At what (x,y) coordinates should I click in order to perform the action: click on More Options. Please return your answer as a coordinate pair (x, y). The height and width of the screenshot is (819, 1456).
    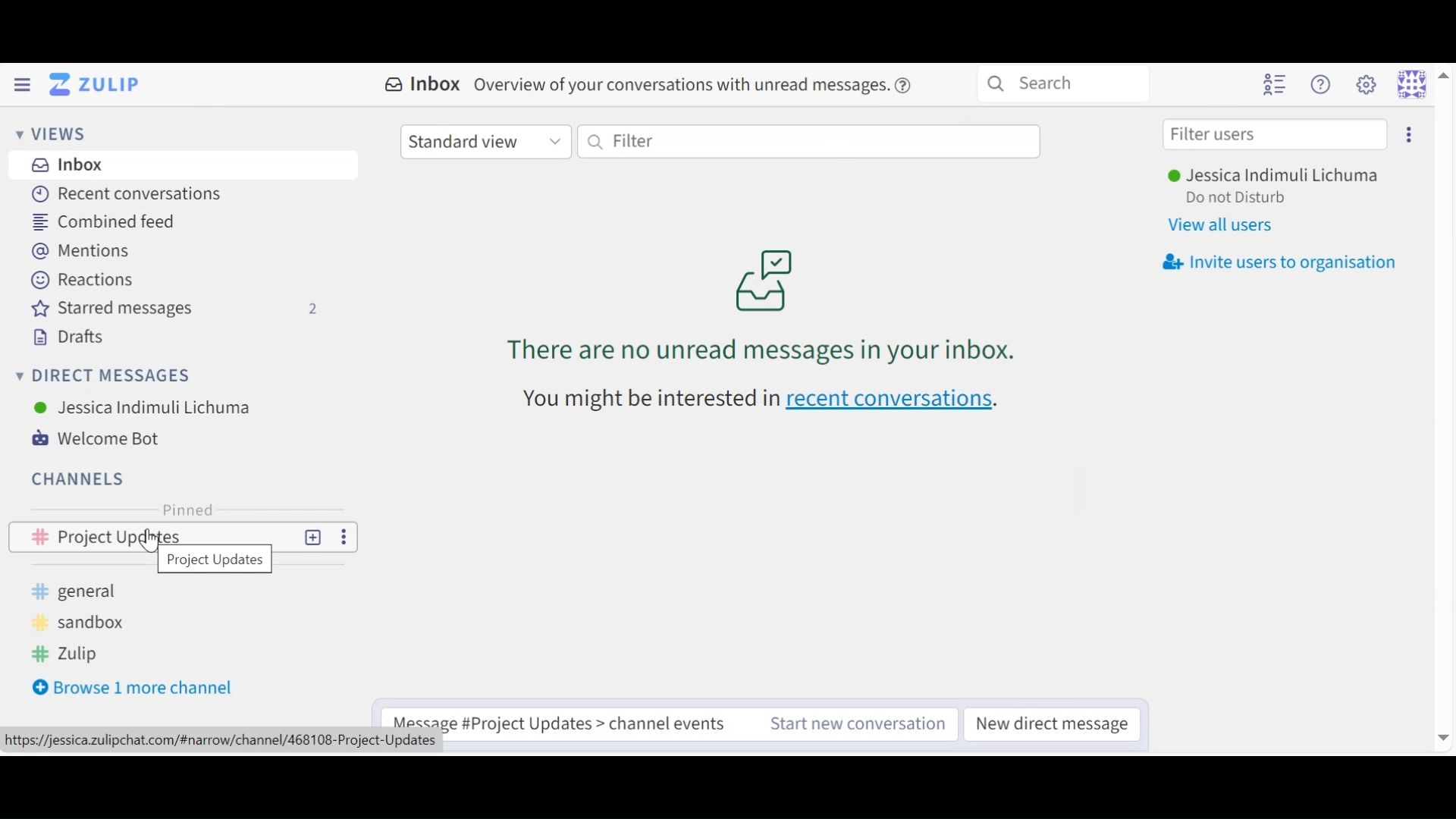
    Looking at the image, I should click on (342, 537).